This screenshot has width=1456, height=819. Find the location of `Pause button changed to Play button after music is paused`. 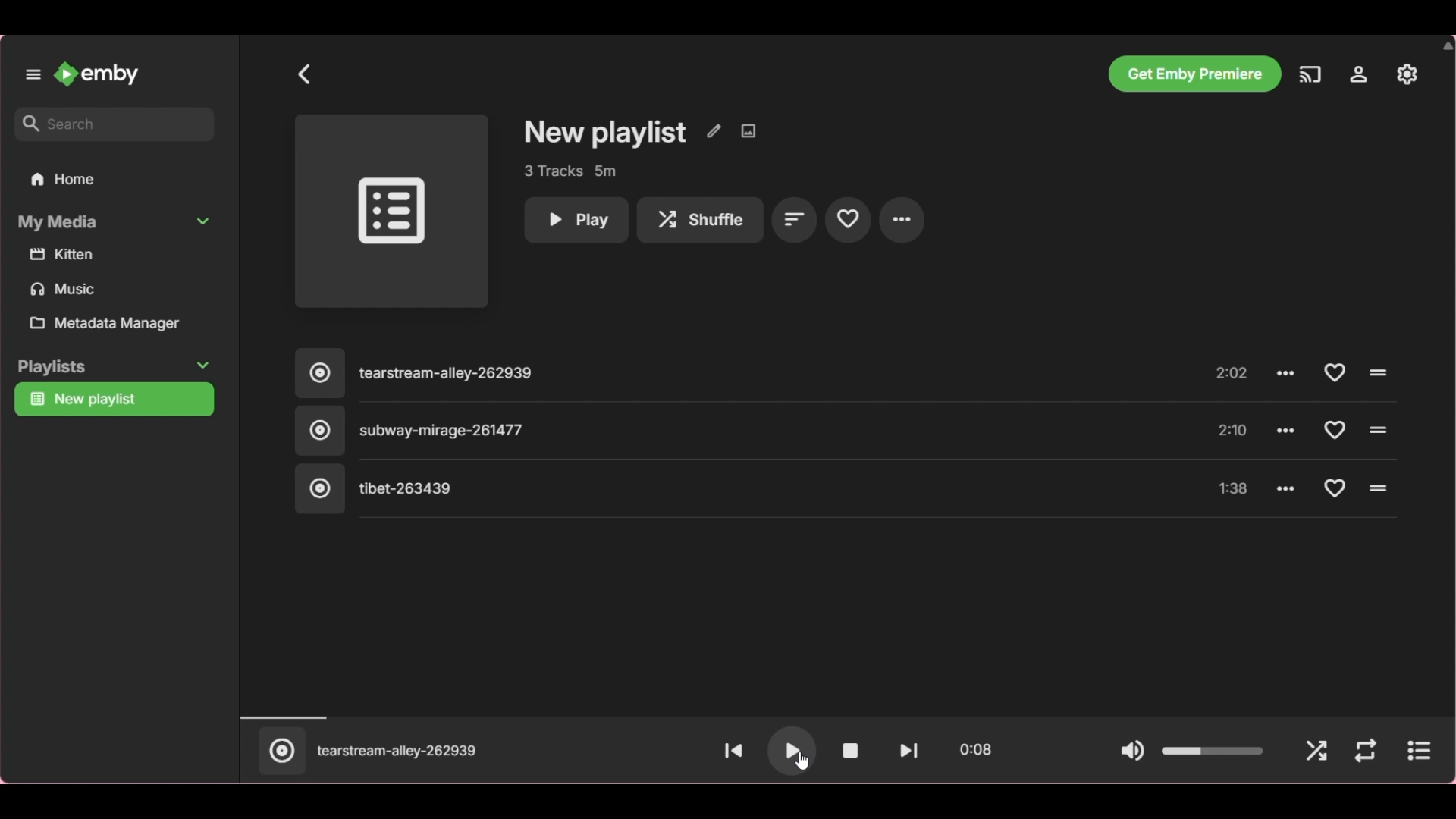

Pause button changed to Play button after music is paused is located at coordinates (798, 756).